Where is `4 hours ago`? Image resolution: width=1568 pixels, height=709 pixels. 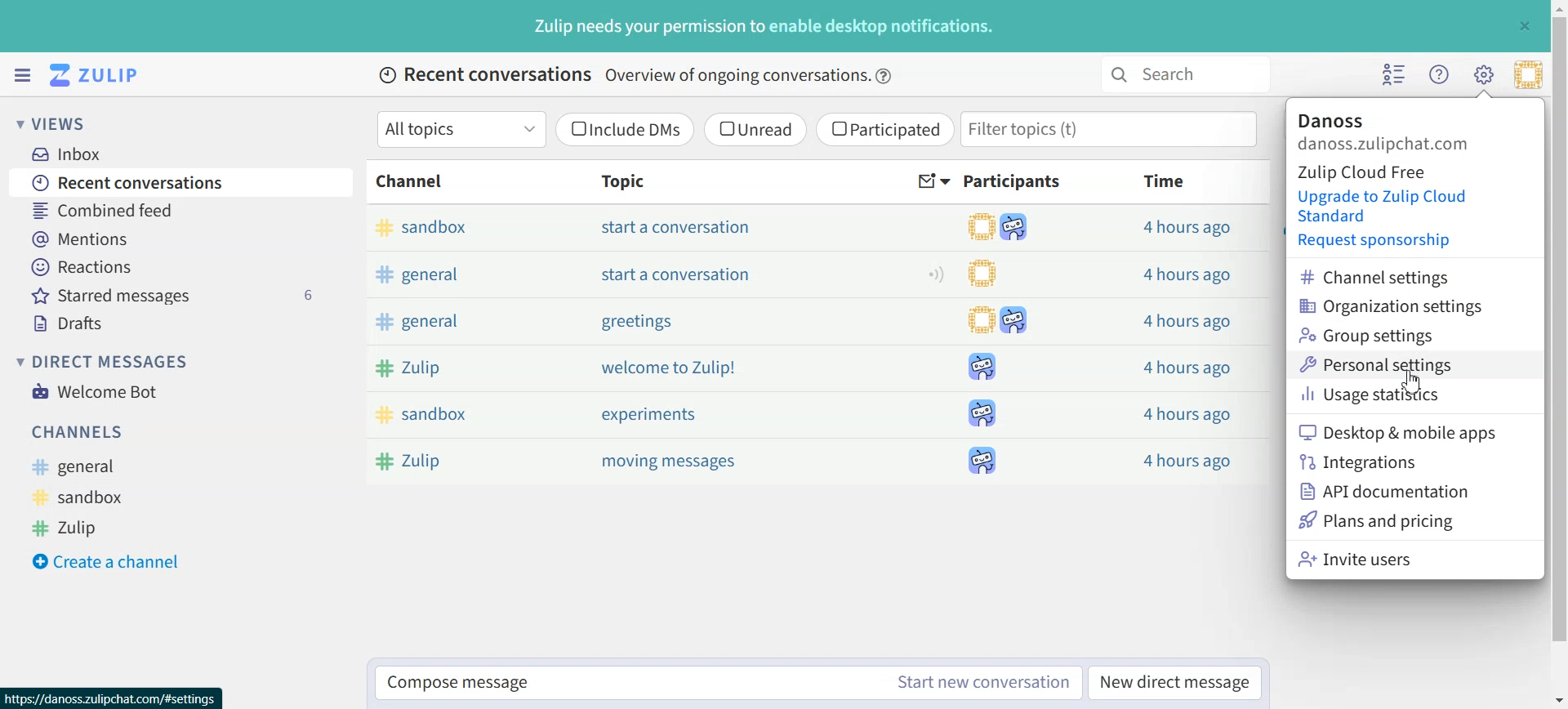 4 hours ago is located at coordinates (1187, 274).